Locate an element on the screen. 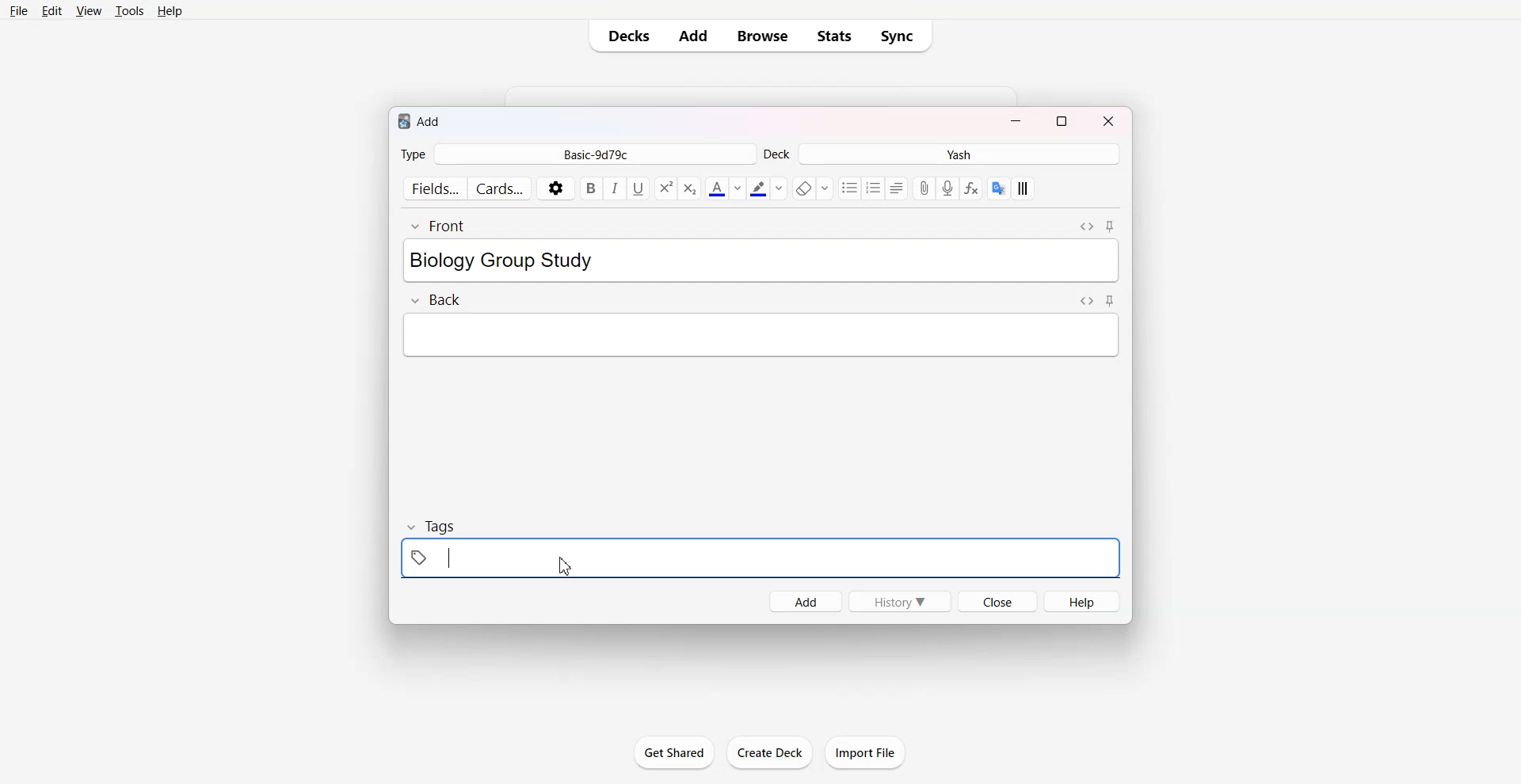 Image resolution: width=1521 pixels, height=784 pixels. Unorder list is located at coordinates (850, 188).